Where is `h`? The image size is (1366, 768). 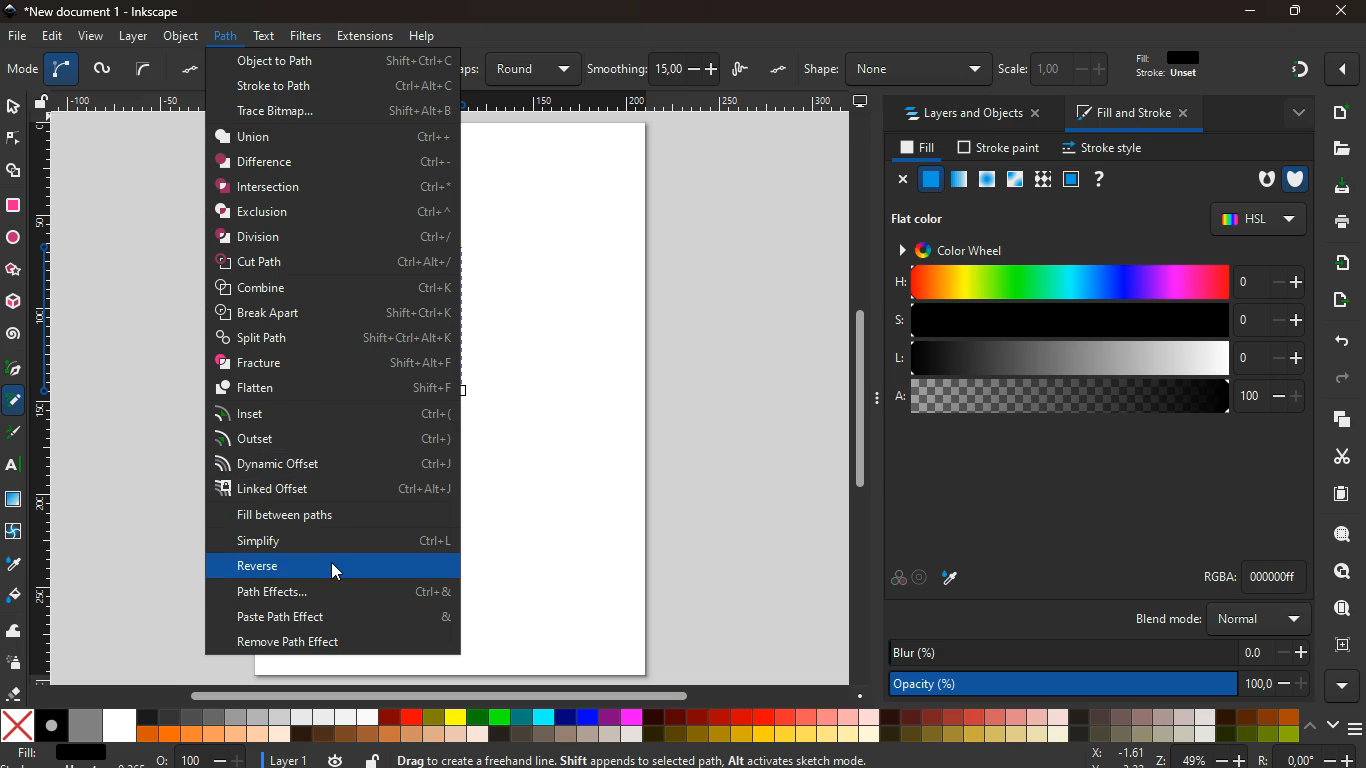
h is located at coordinates (1099, 281).